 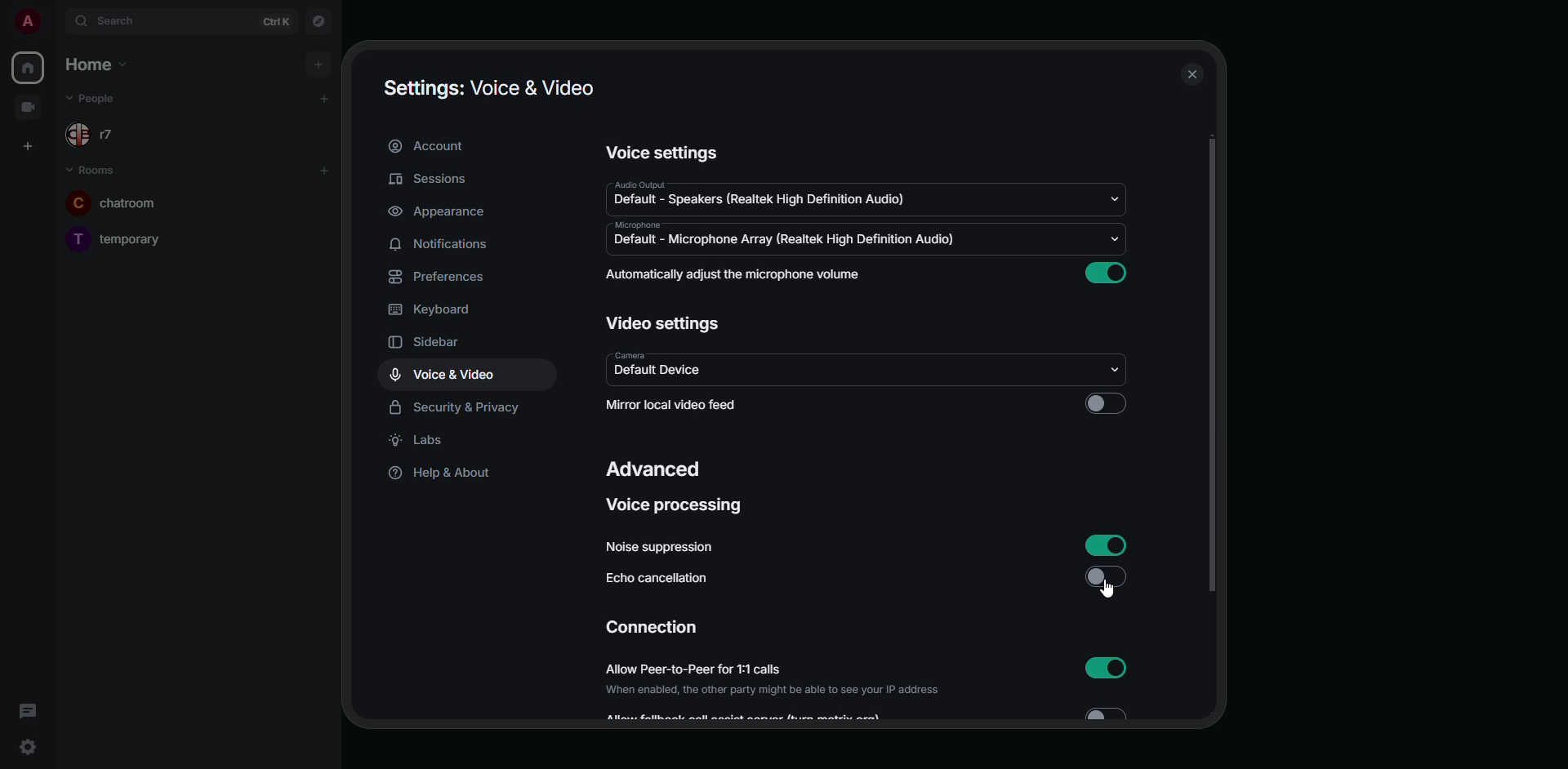 I want to click on profile, so click(x=30, y=20).